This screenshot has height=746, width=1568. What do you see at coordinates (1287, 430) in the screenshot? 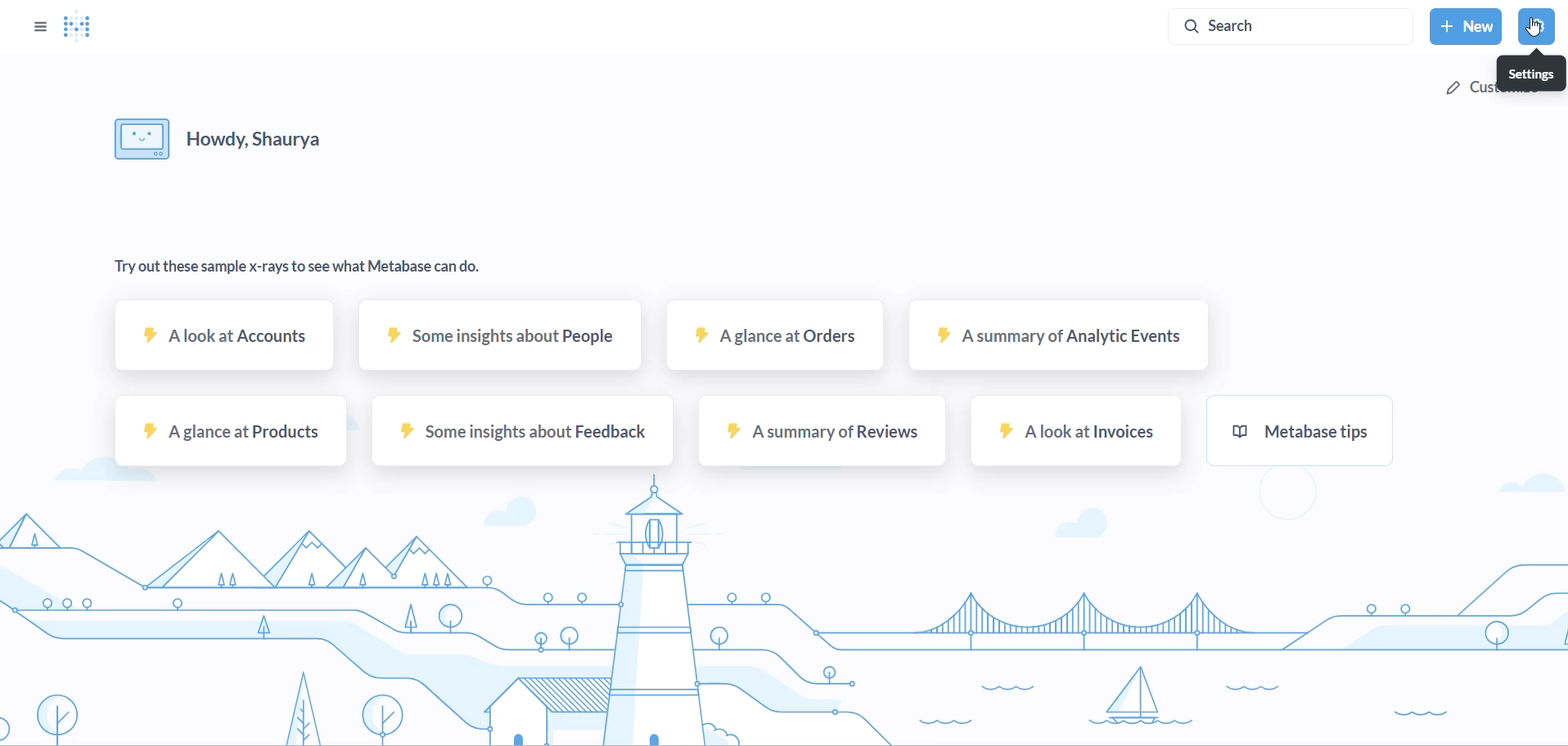
I see `metabase tips sample` at bounding box center [1287, 430].